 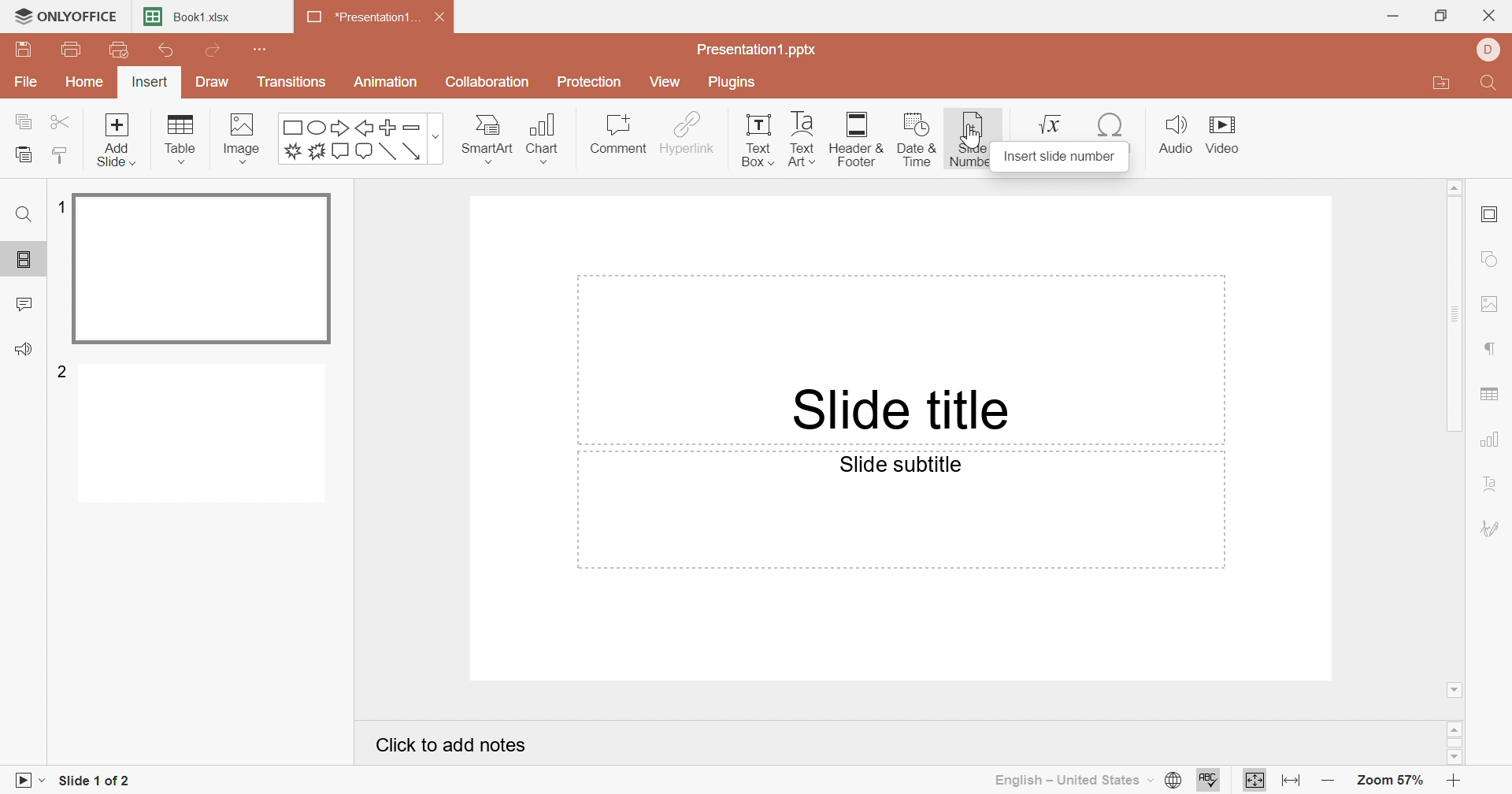 What do you see at coordinates (1458, 743) in the screenshot?
I see `Scroll Bar` at bounding box center [1458, 743].